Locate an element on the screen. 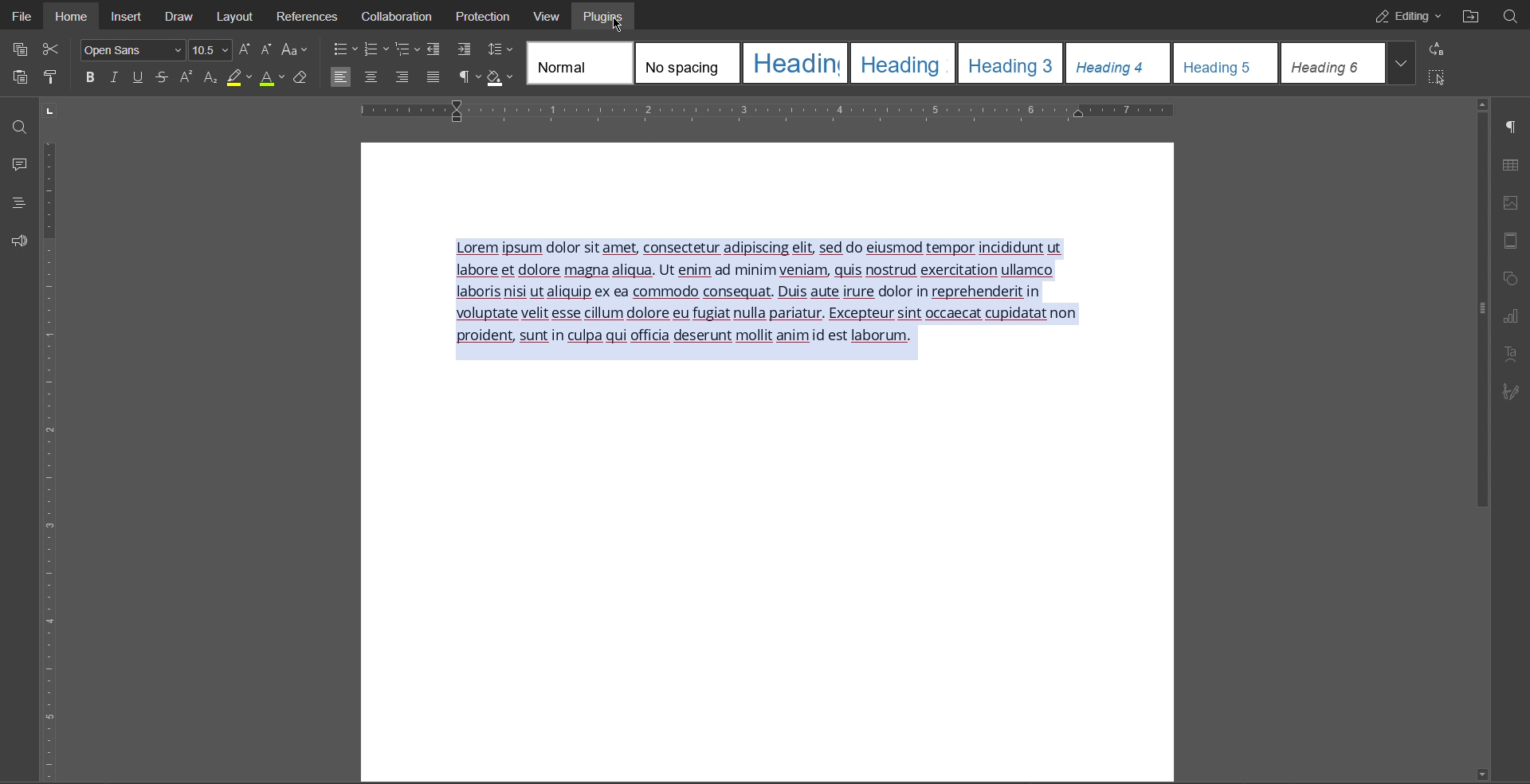 The image size is (1530, 784). Centre Align is located at coordinates (371, 78).